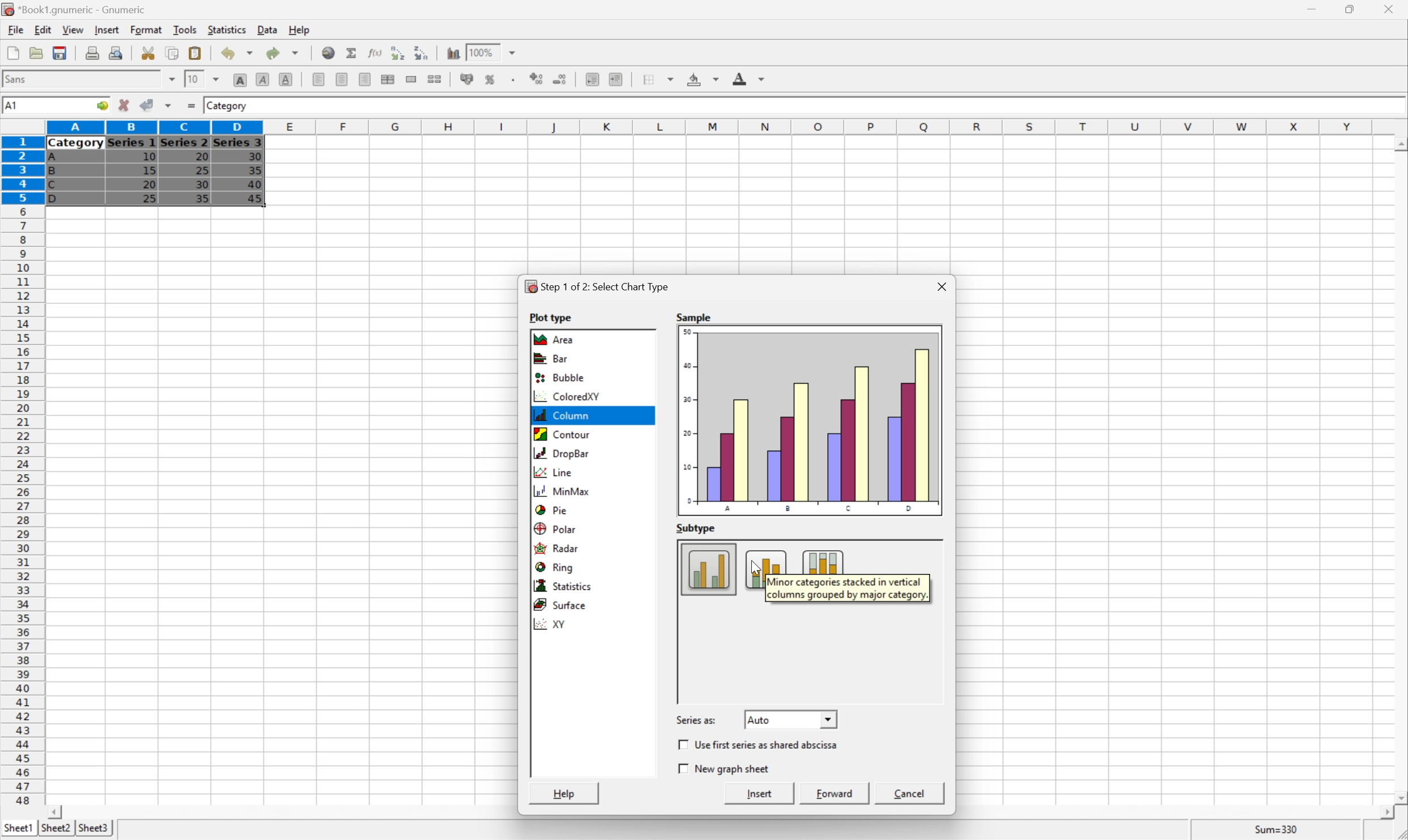 The width and height of the screenshot is (1408, 840). Describe the element at coordinates (228, 30) in the screenshot. I see `Statistics` at that location.